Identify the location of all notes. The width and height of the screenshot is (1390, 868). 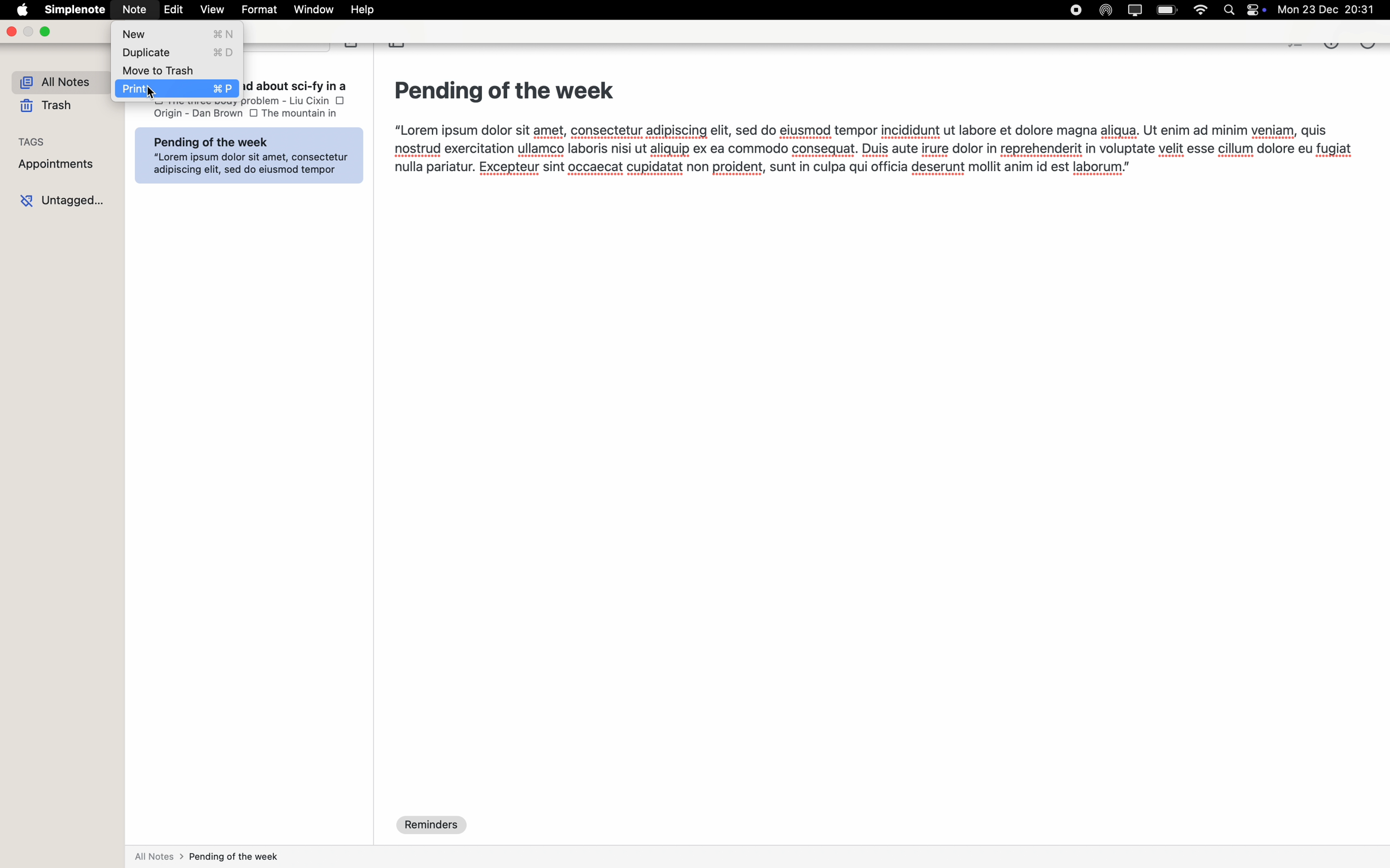
(61, 82).